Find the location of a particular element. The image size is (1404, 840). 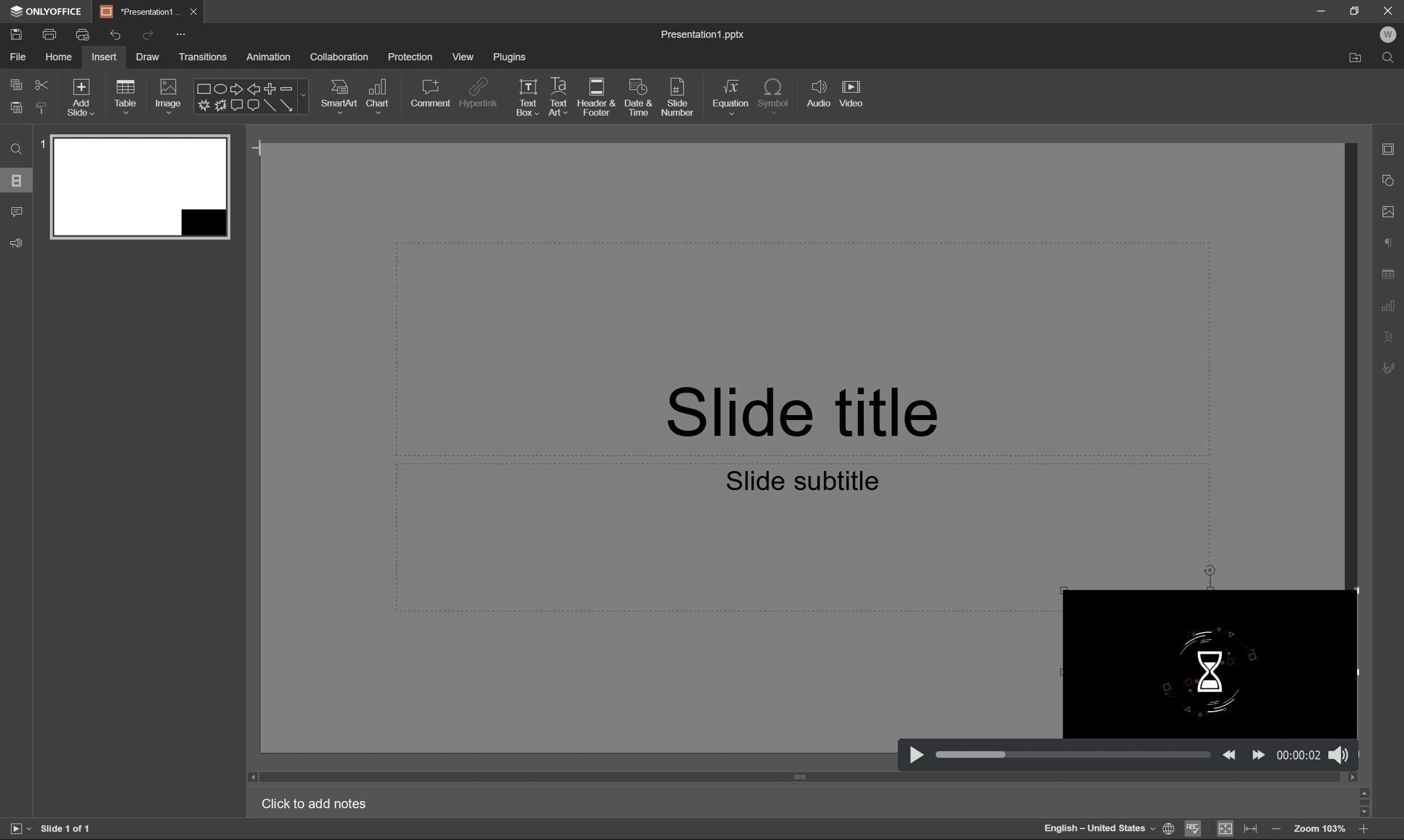

smart art is located at coordinates (341, 98).